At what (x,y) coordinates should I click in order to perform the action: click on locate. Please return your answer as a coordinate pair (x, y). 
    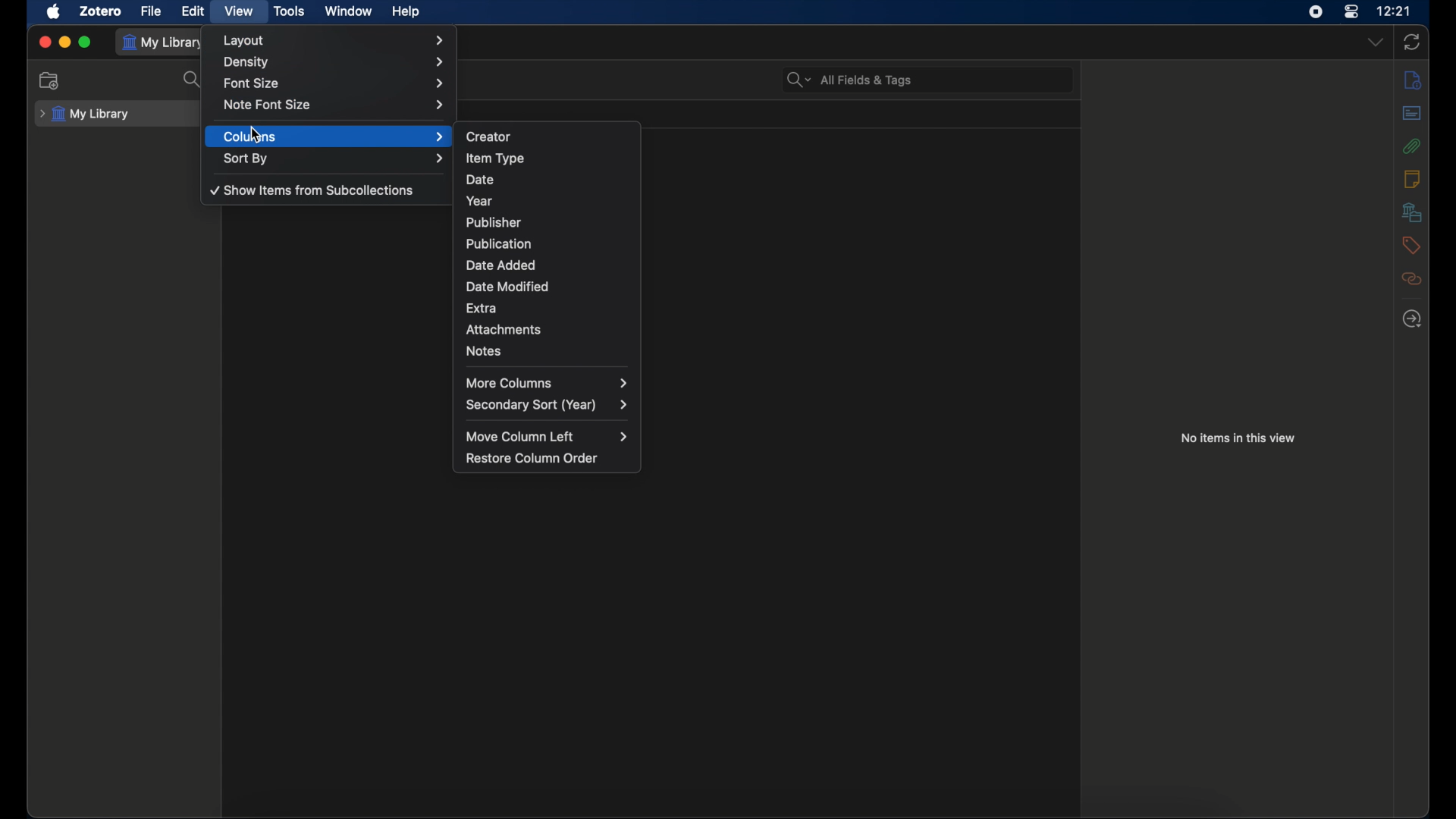
    Looking at the image, I should click on (1412, 320).